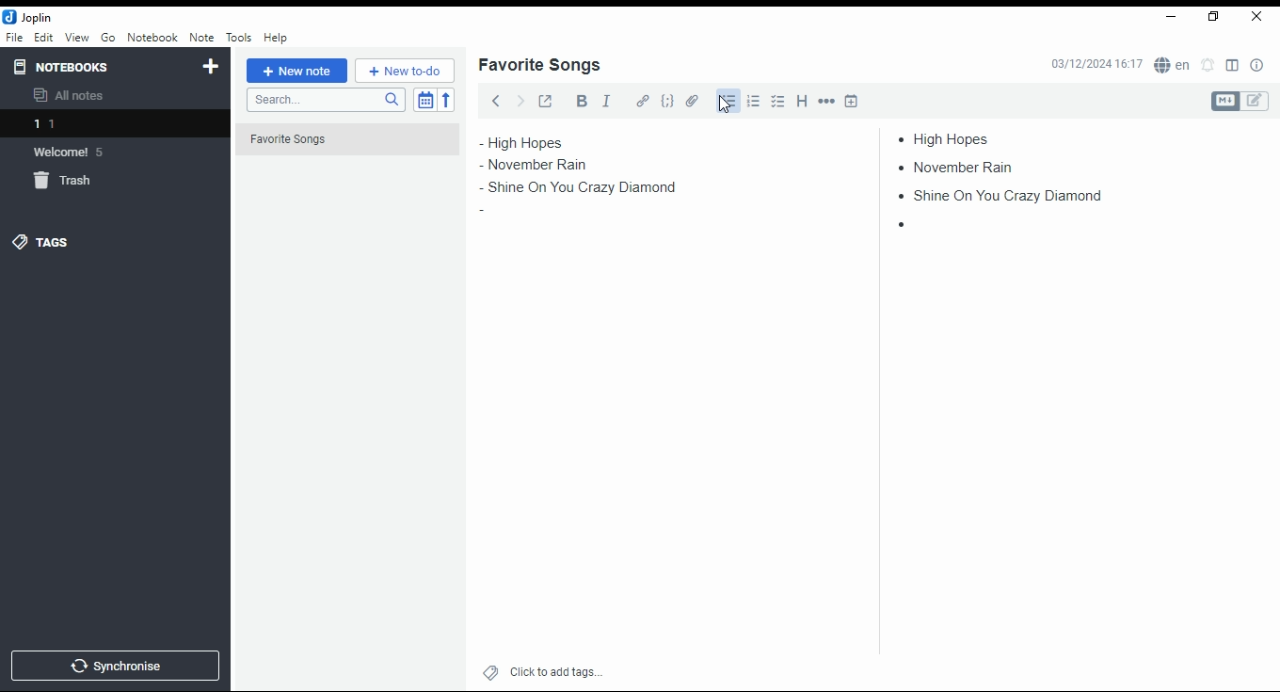  I want to click on view, so click(77, 38).